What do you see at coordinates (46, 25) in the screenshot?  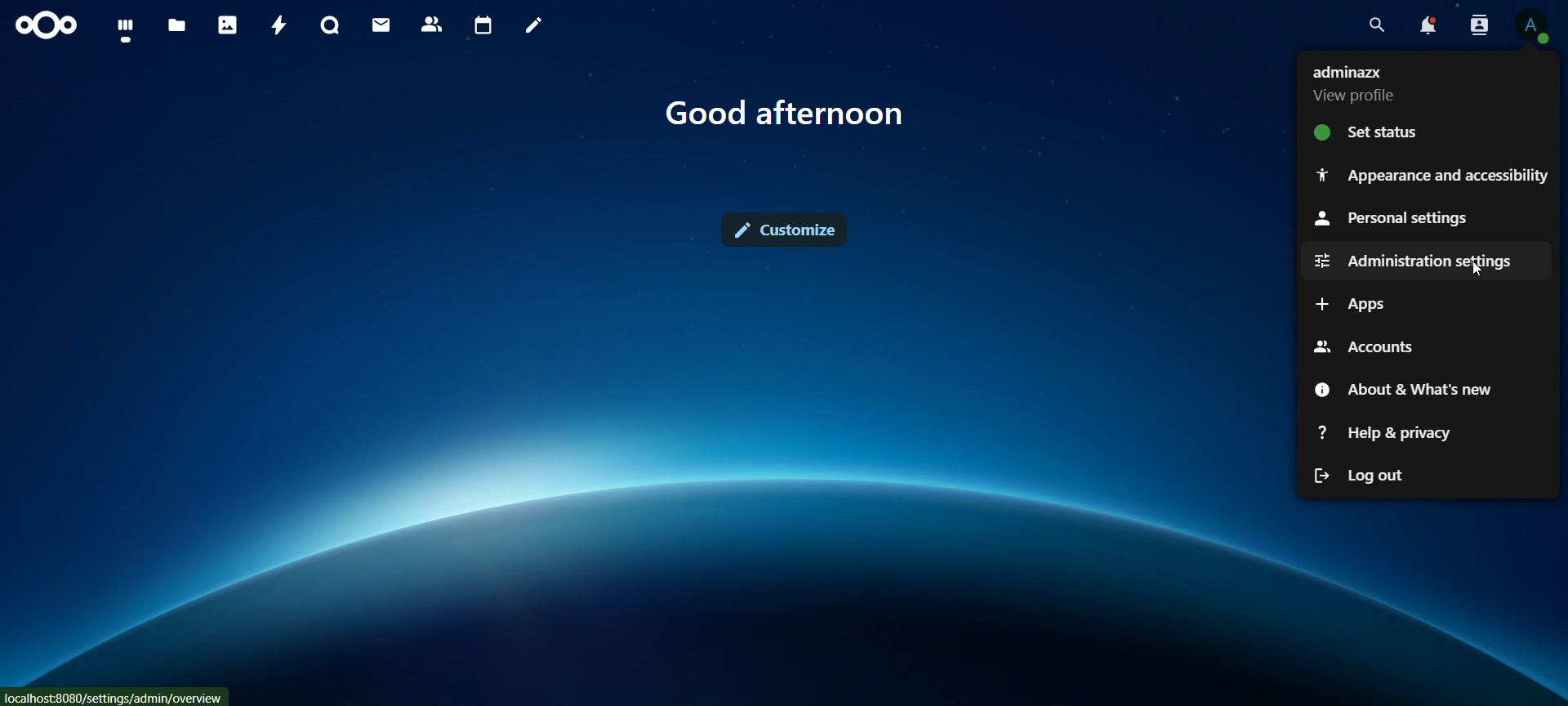 I see `icon` at bounding box center [46, 25].